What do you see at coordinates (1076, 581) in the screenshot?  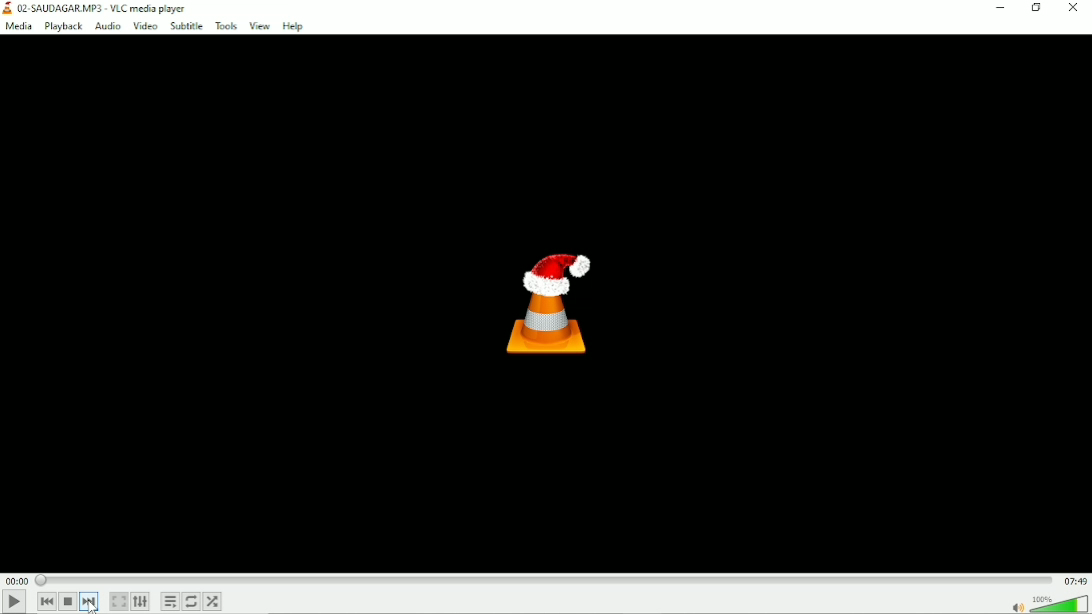 I see `Total duration` at bounding box center [1076, 581].